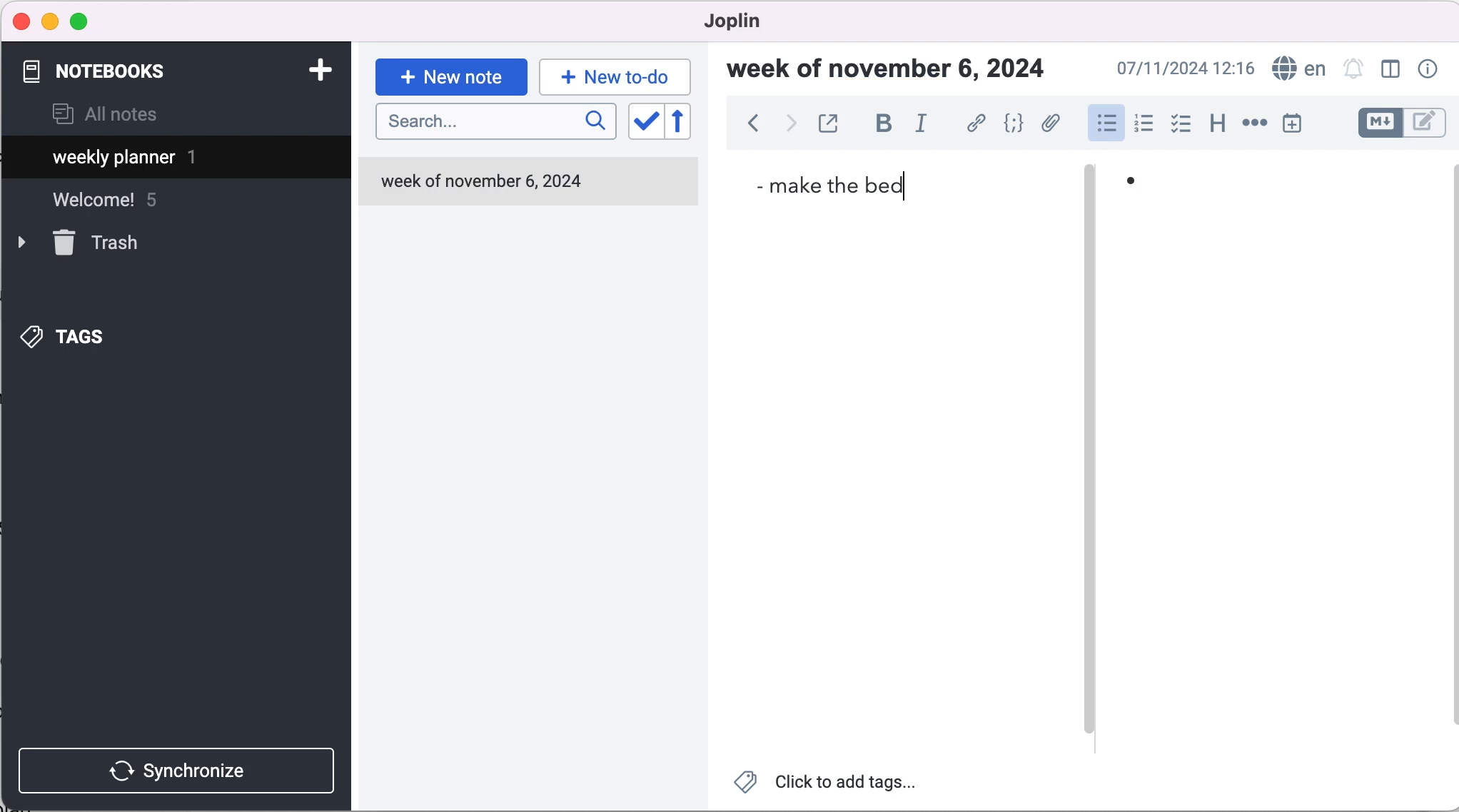 The height and width of the screenshot is (812, 1459). I want to click on click to add tags, so click(836, 785).